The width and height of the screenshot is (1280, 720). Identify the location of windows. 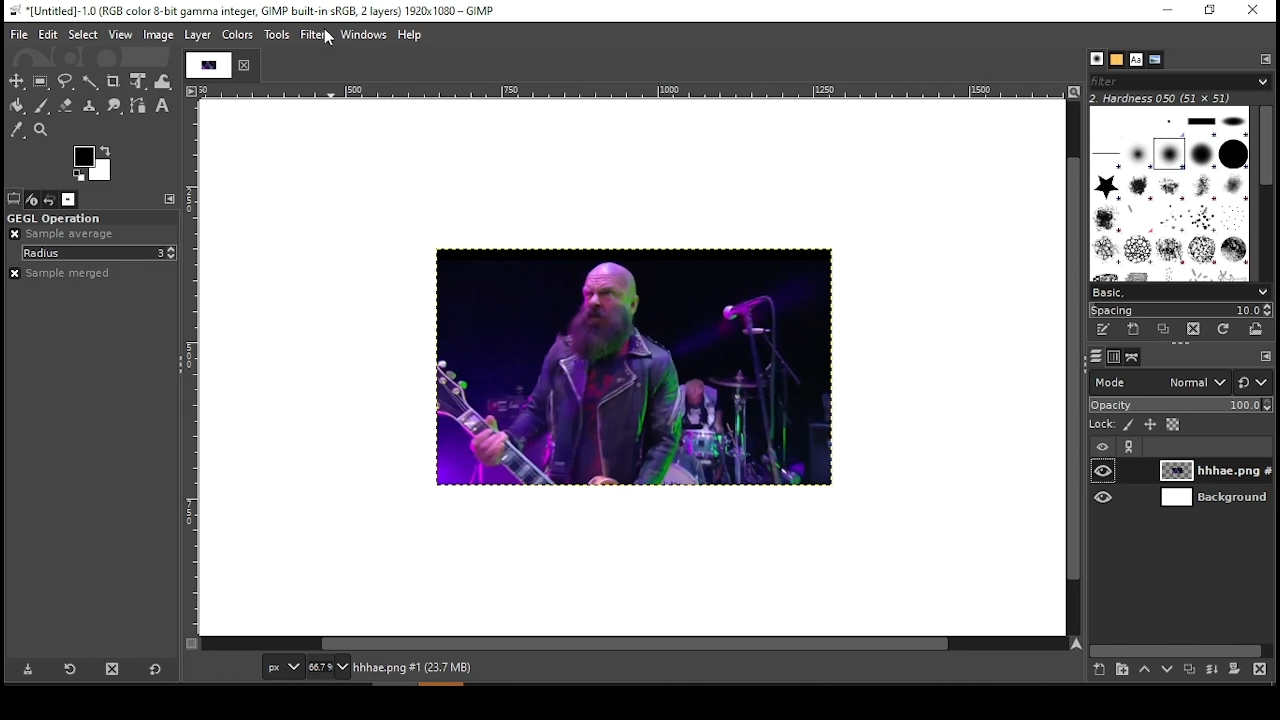
(365, 34).